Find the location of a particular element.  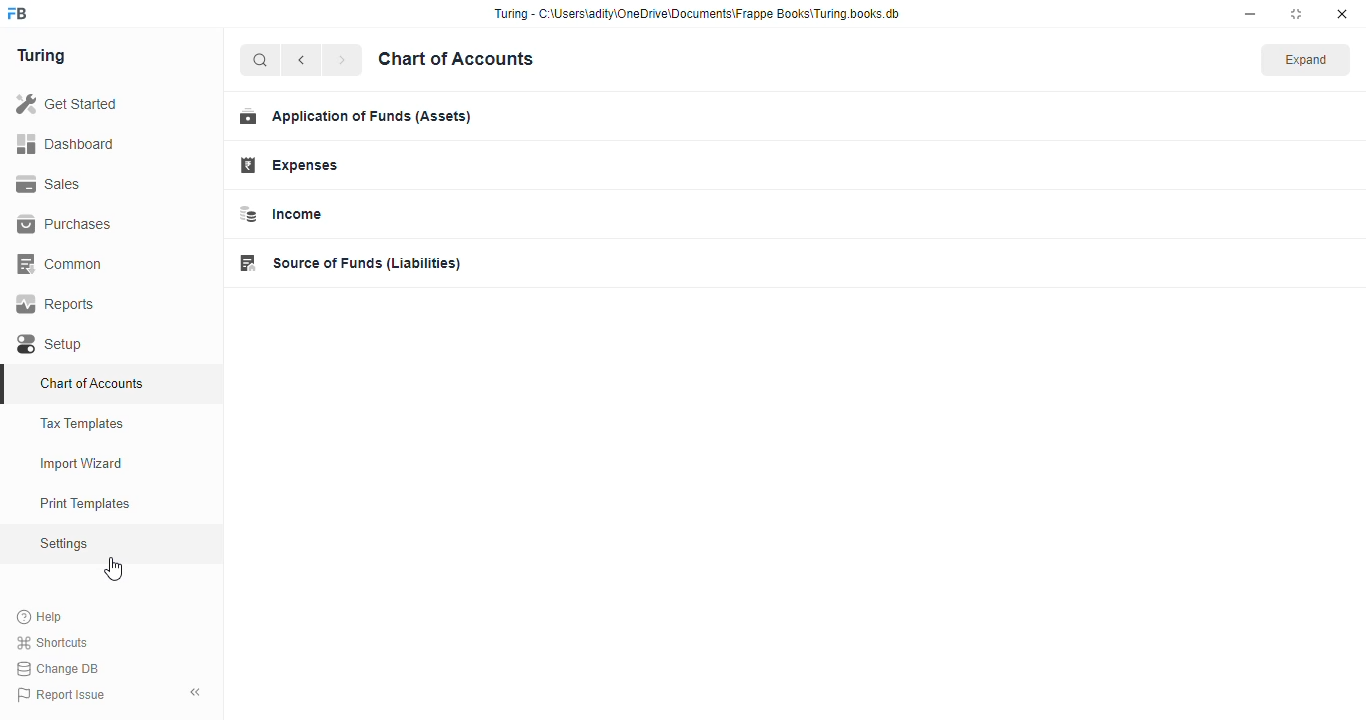

Import Wizard is located at coordinates (92, 463).